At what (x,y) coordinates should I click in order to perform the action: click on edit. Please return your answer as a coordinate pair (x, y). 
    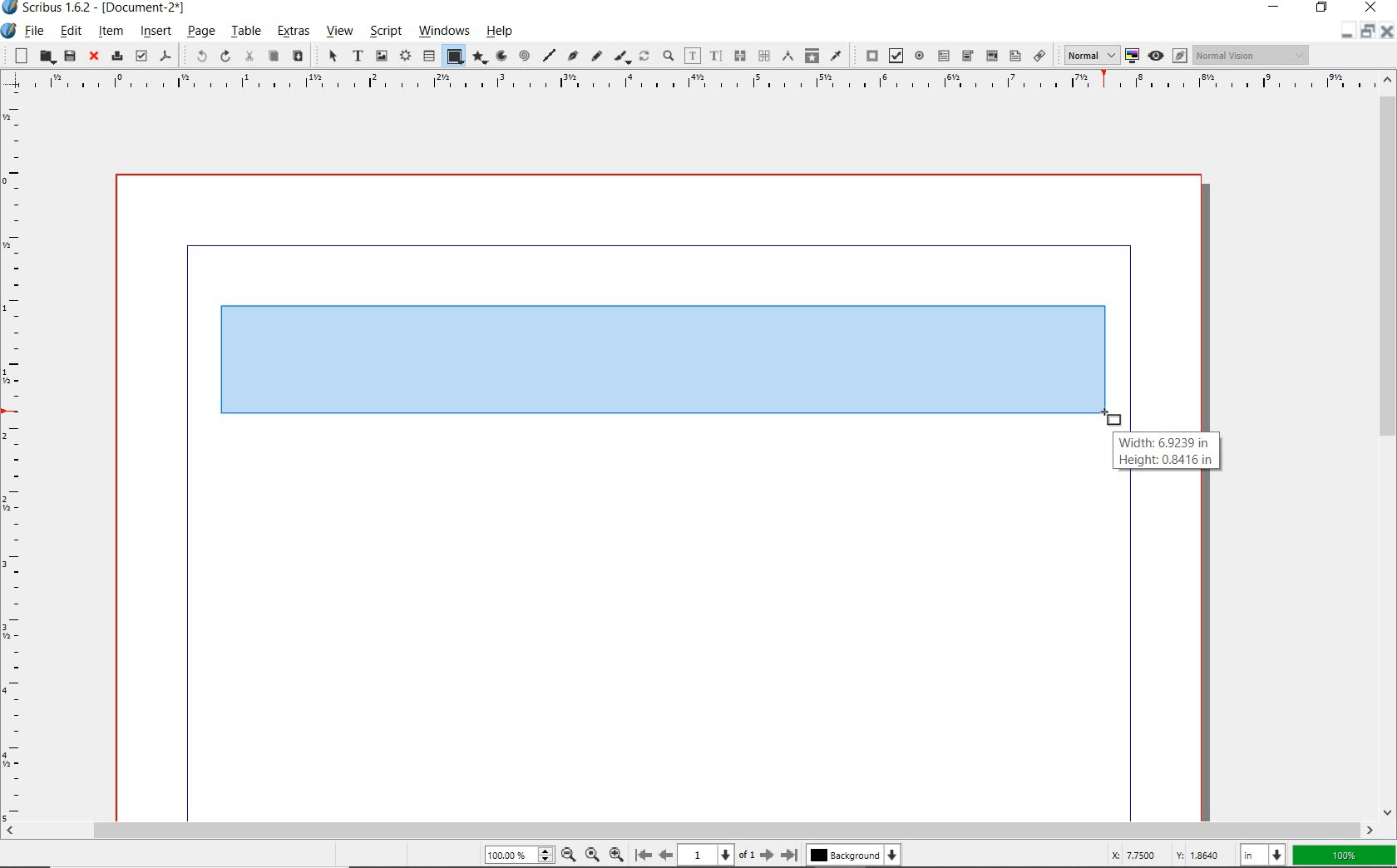
    Looking at the image, I should click on (72, 31).